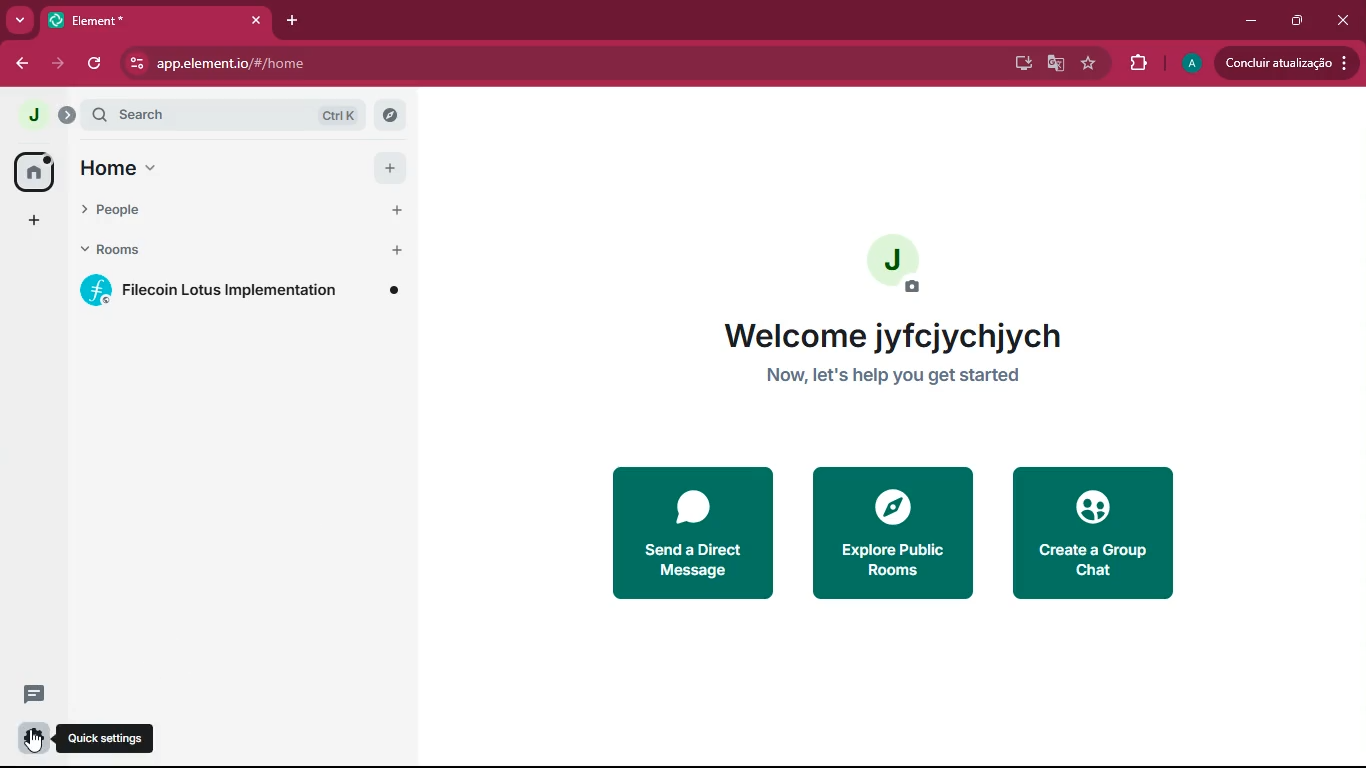 This screenshot has height=768, width=1366. What do you see at coordinates (908, 382) in the screenshot?
I see `Now, let's help you get started` at bounding box center [908, 382].